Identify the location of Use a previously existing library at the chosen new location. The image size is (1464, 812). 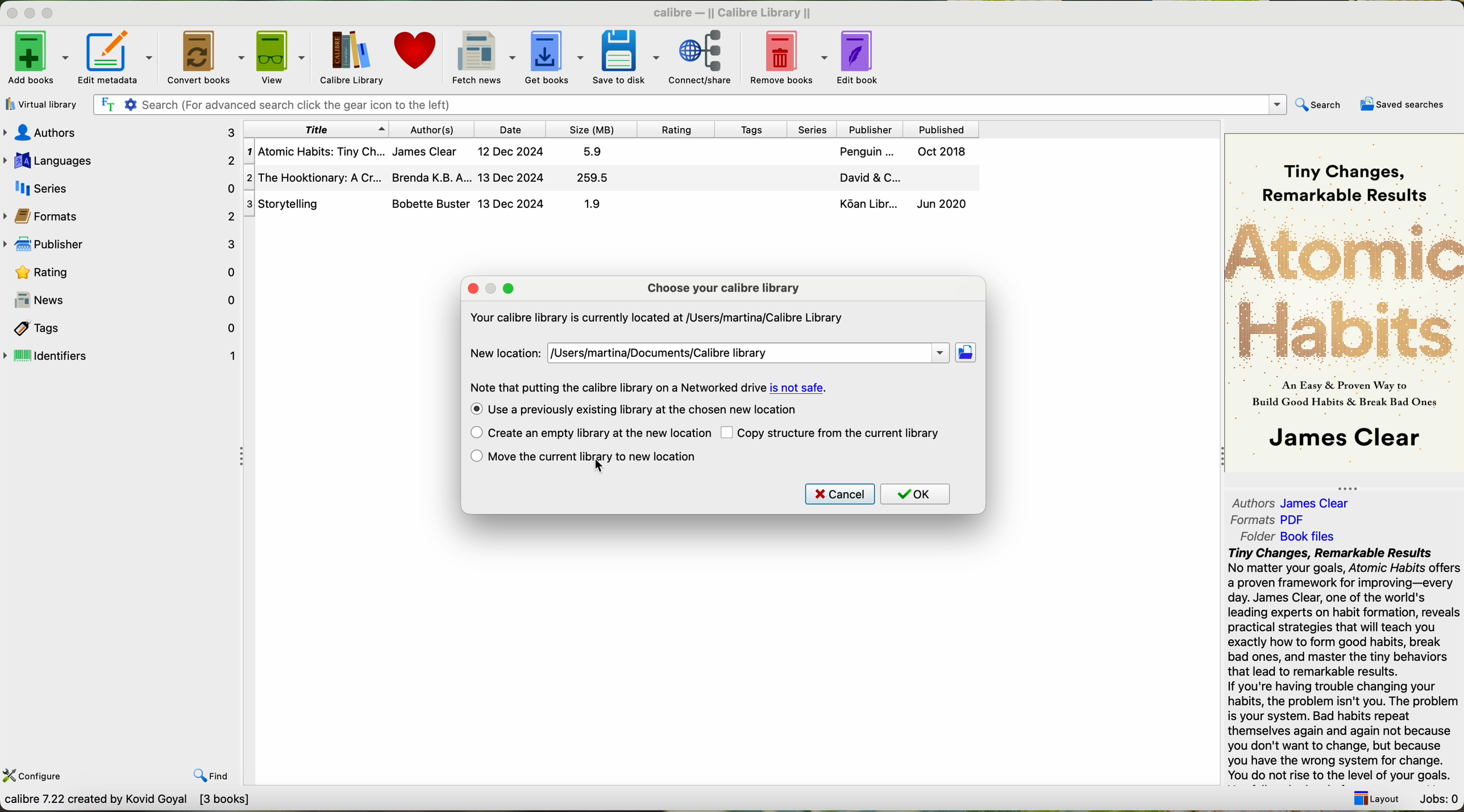
(646, 410).